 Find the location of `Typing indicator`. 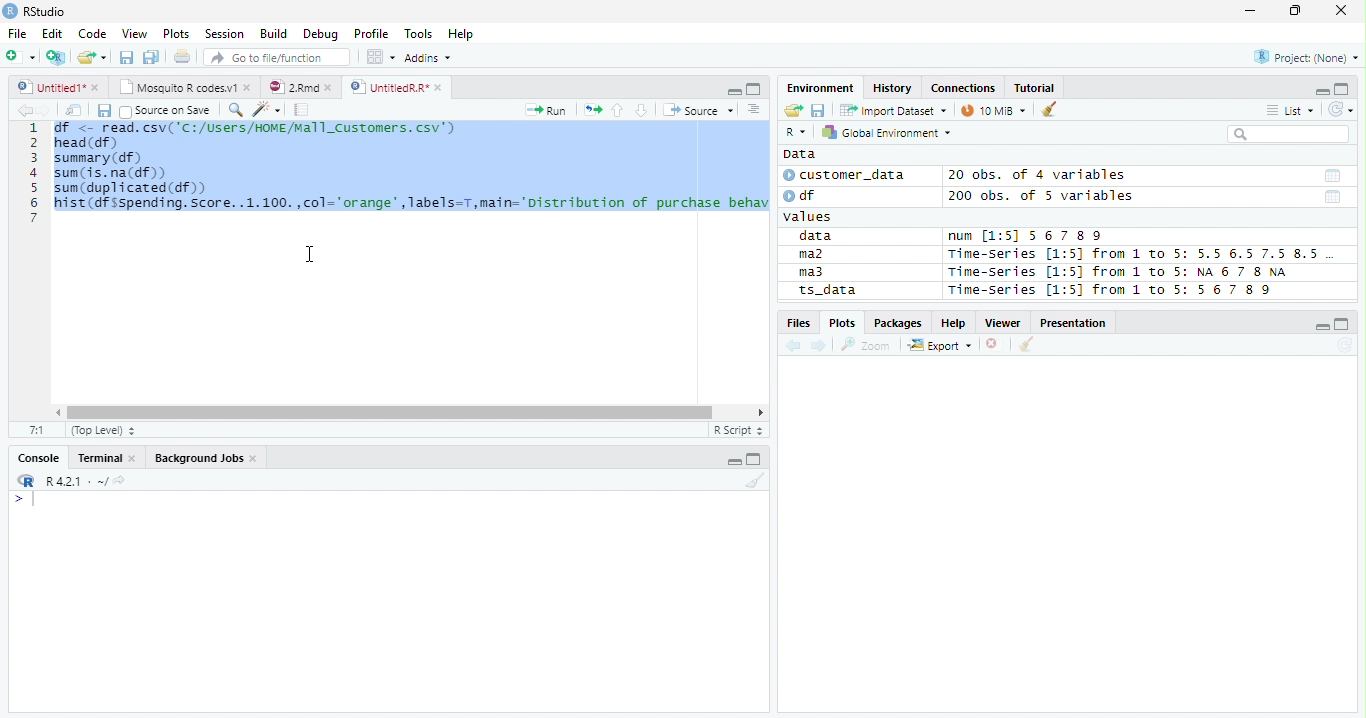

Typing indicator is located at coordinates (33, 500).